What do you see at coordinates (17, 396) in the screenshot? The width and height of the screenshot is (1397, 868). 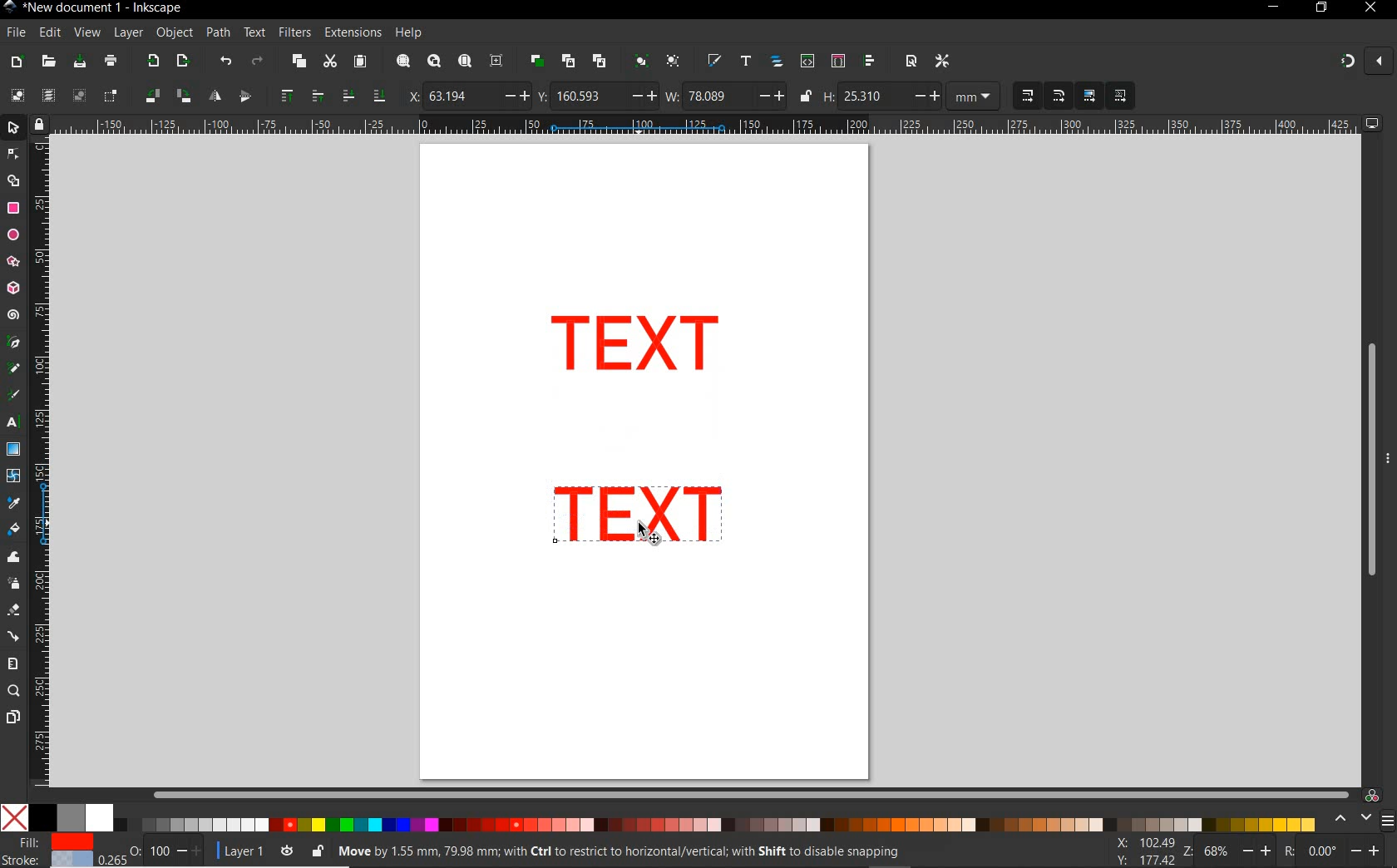 I see `calligraphy tool` at bounding box center [17, 396].